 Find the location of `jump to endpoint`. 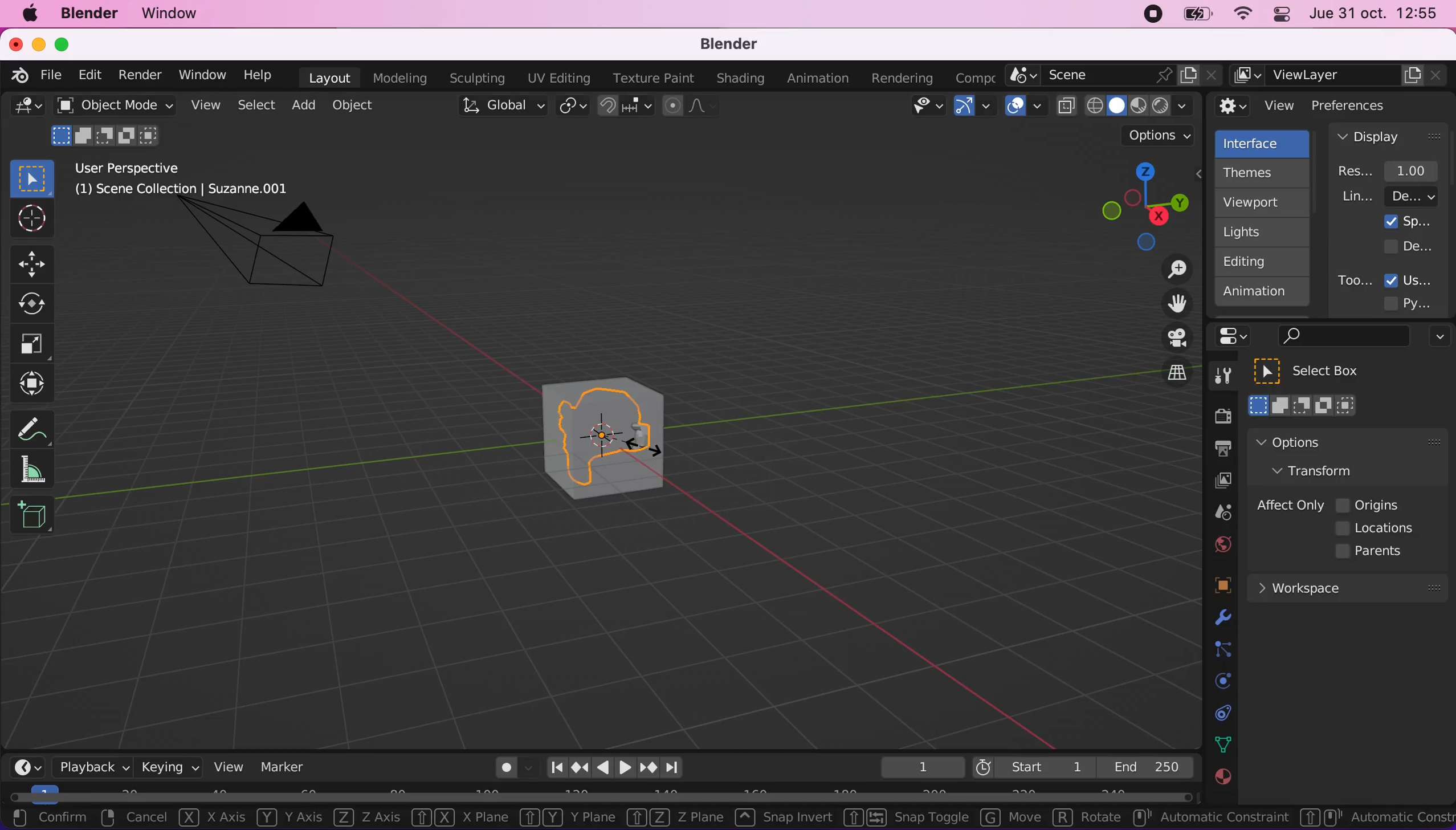

jump to endpoint is located at coordinates (678, 768).